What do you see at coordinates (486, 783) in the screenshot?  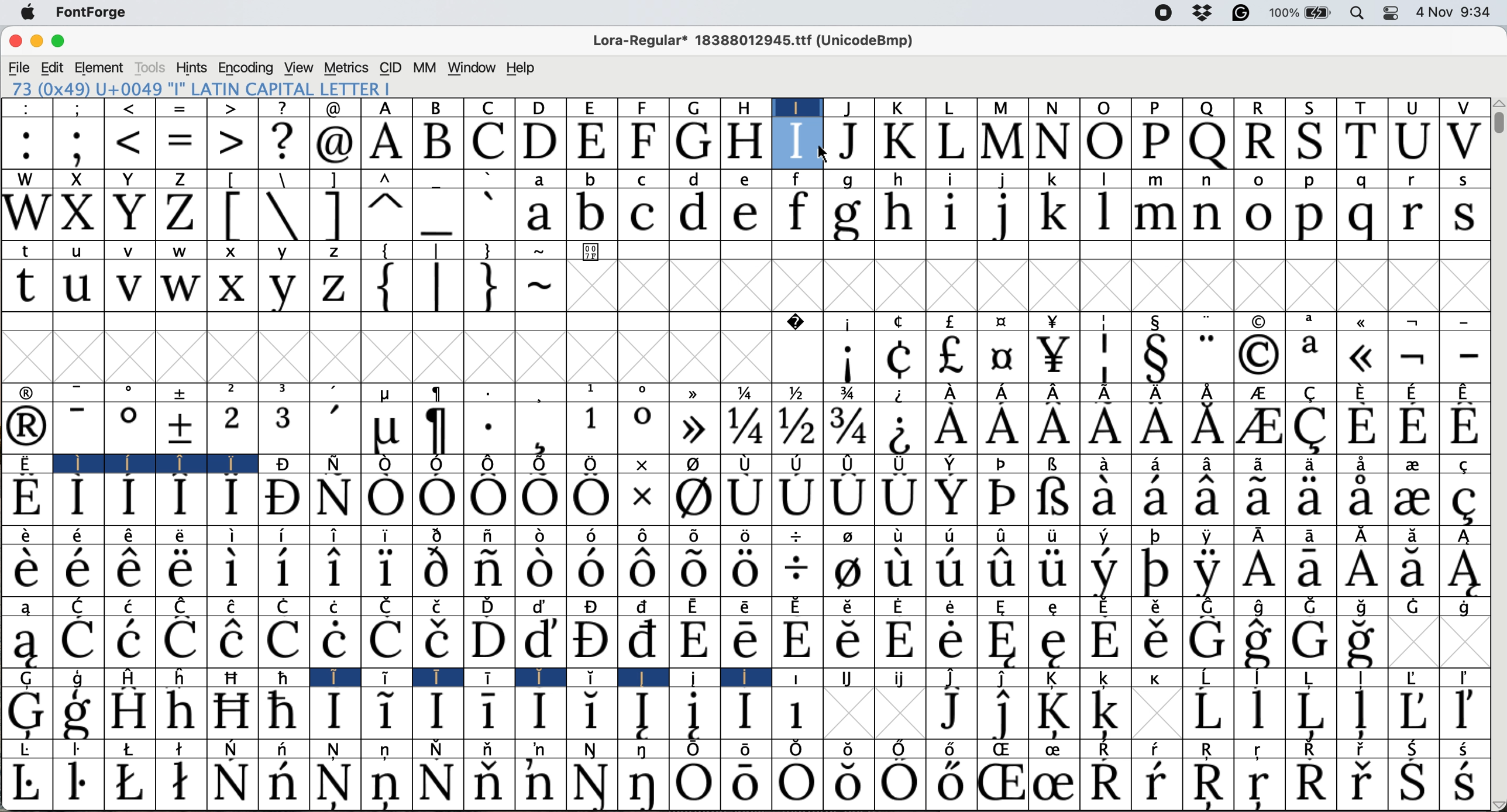 I see `Symbol` at bounding box center [486, 783].